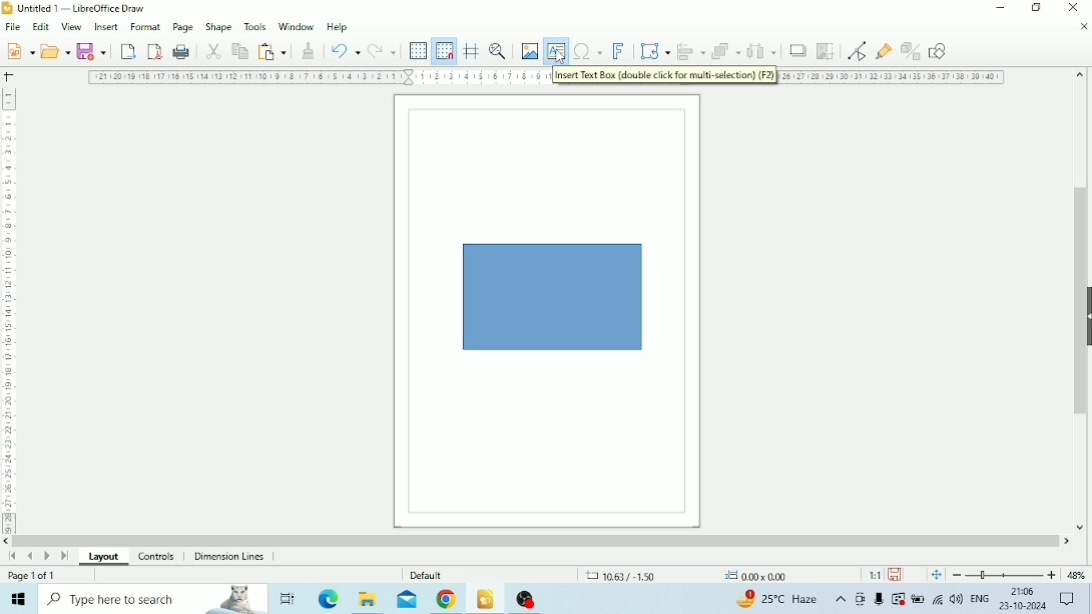 The image size is (1092, 614). What do you see at coordinates (826, 51) in the screenshot?
I see `Crop Image` at bounding box center [826, 51].